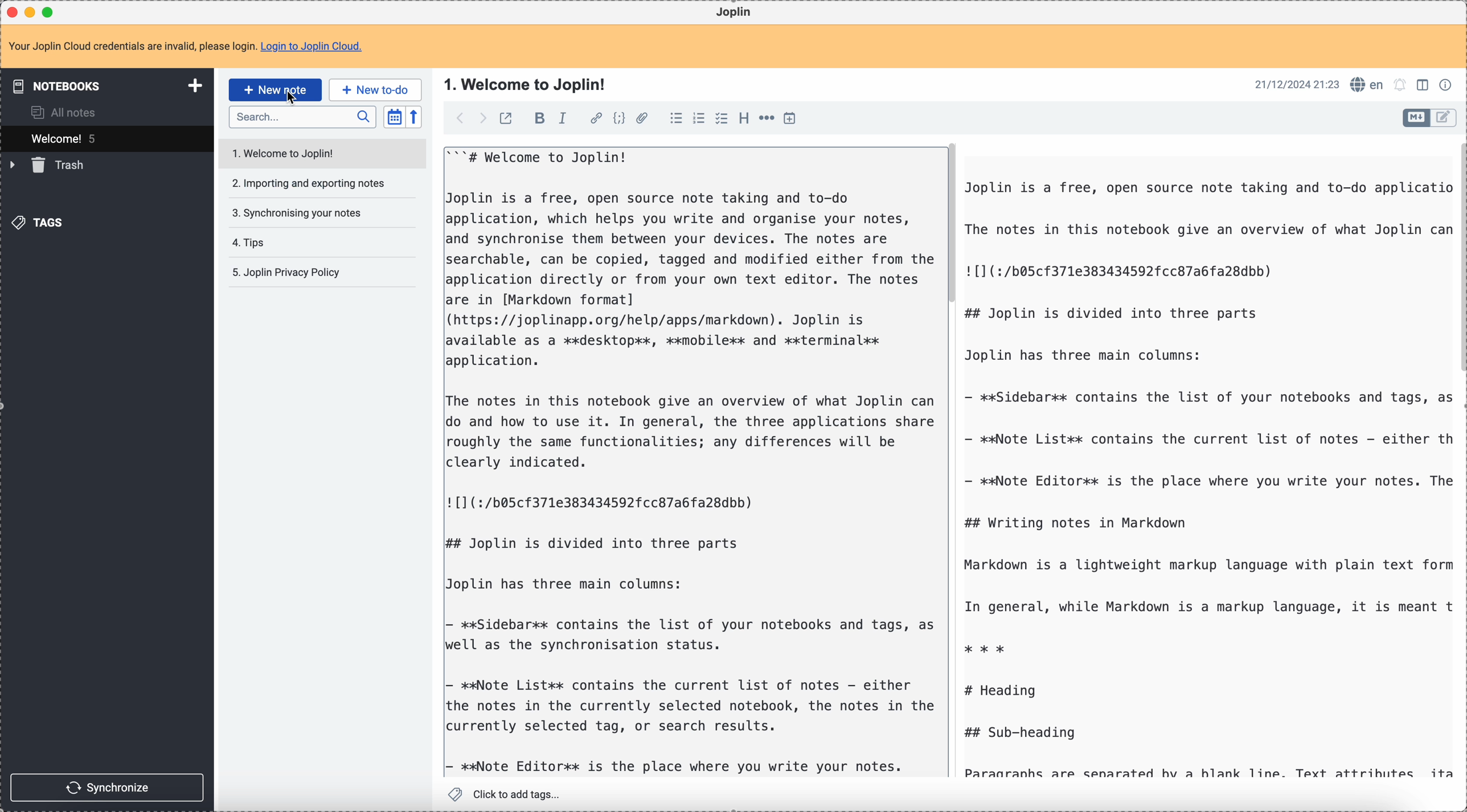 This screenshot has height=812, width=1467. I want to click on Joplin, so click(733, 13).